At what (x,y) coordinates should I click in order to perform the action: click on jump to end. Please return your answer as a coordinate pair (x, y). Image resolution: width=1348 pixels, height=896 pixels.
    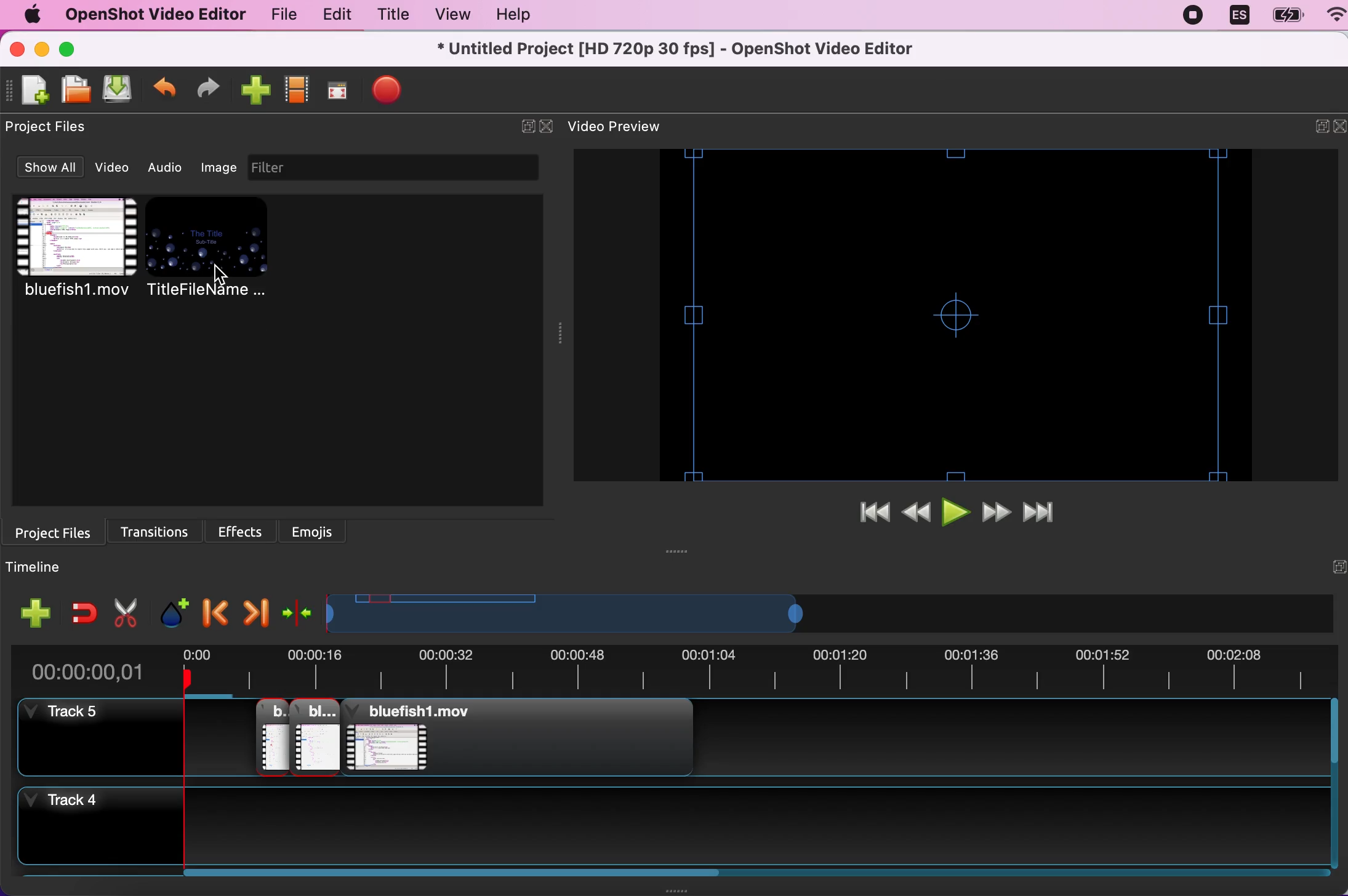
    Looking at the image, I should click on (1046, 514).